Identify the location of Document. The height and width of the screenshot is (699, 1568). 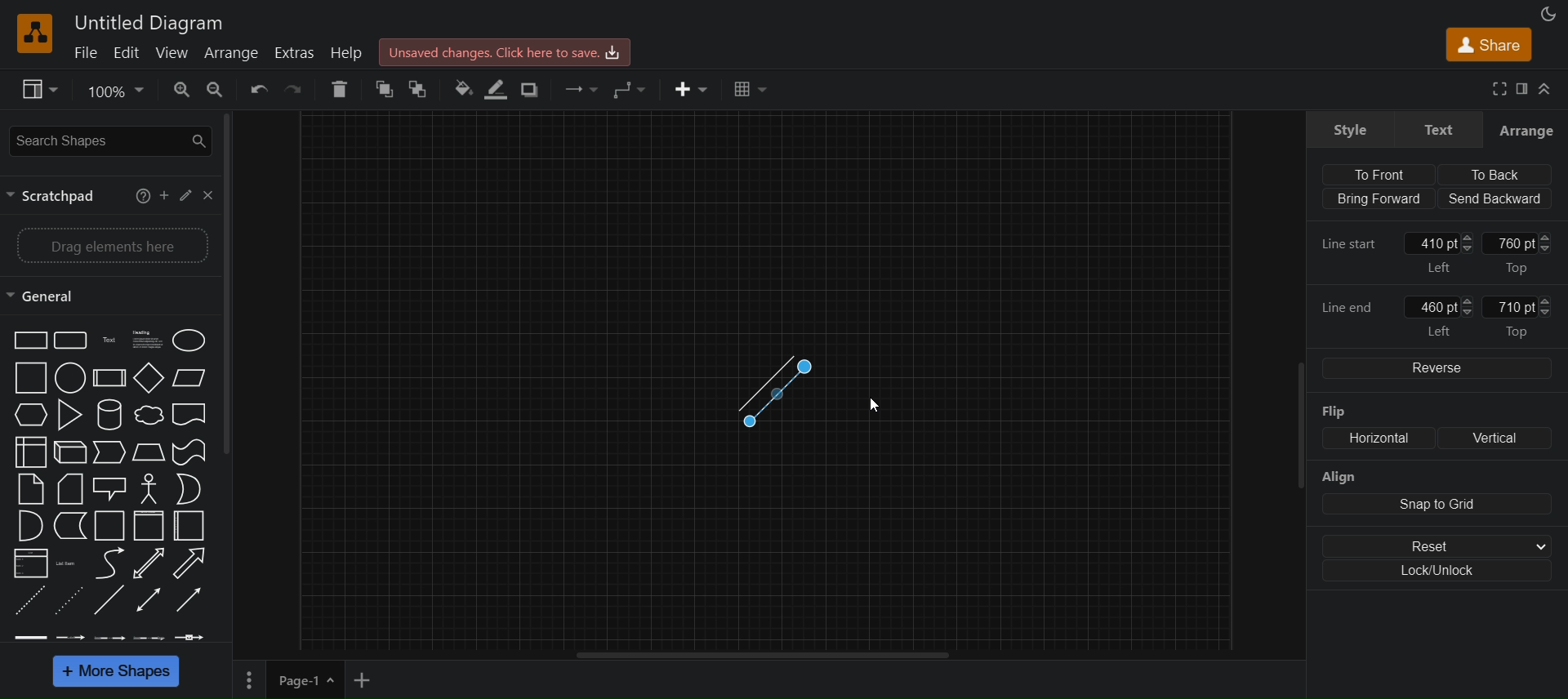
(191, 416).